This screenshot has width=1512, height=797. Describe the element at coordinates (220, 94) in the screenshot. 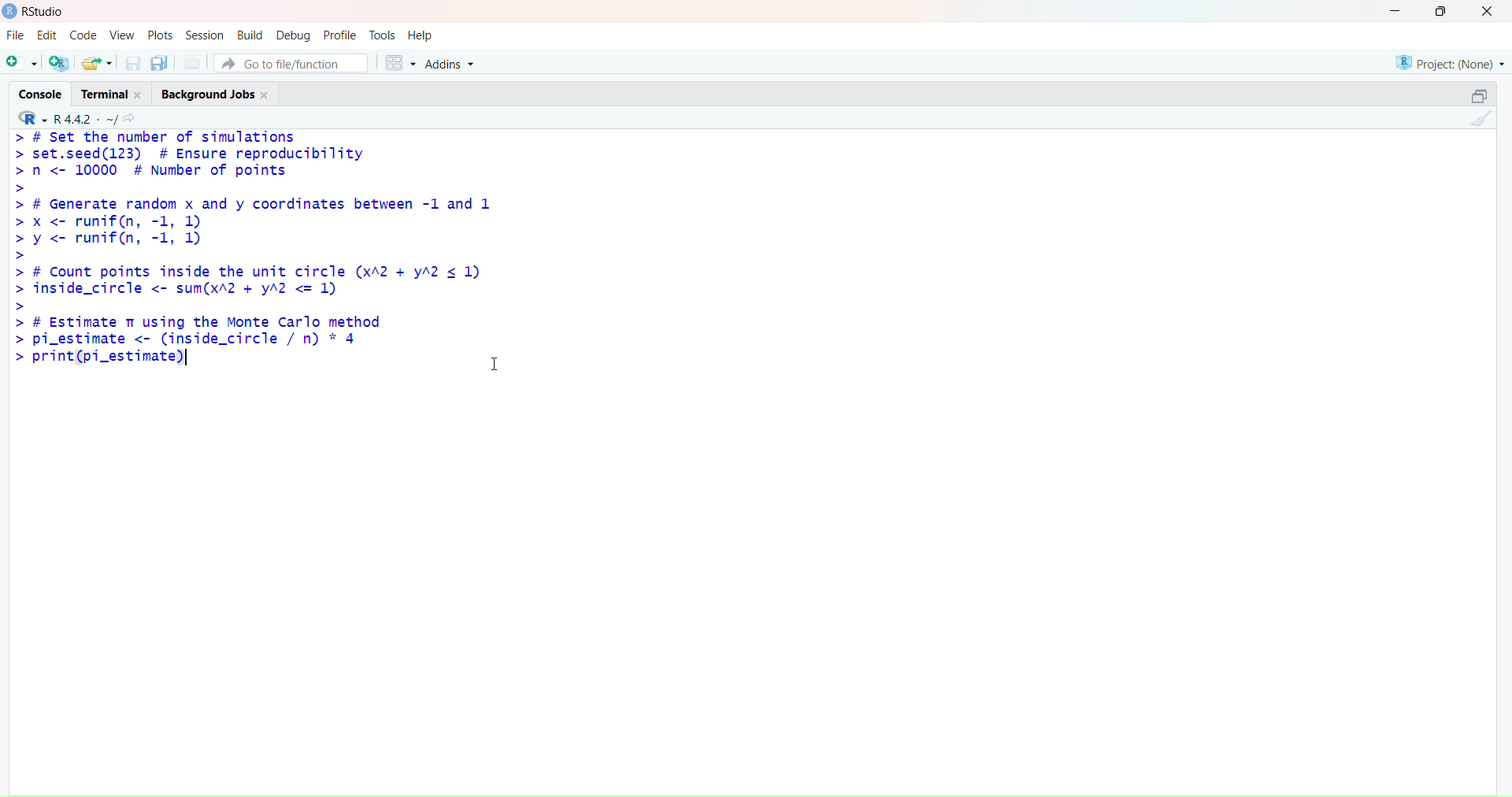

I see `Background Jobs` at that location.